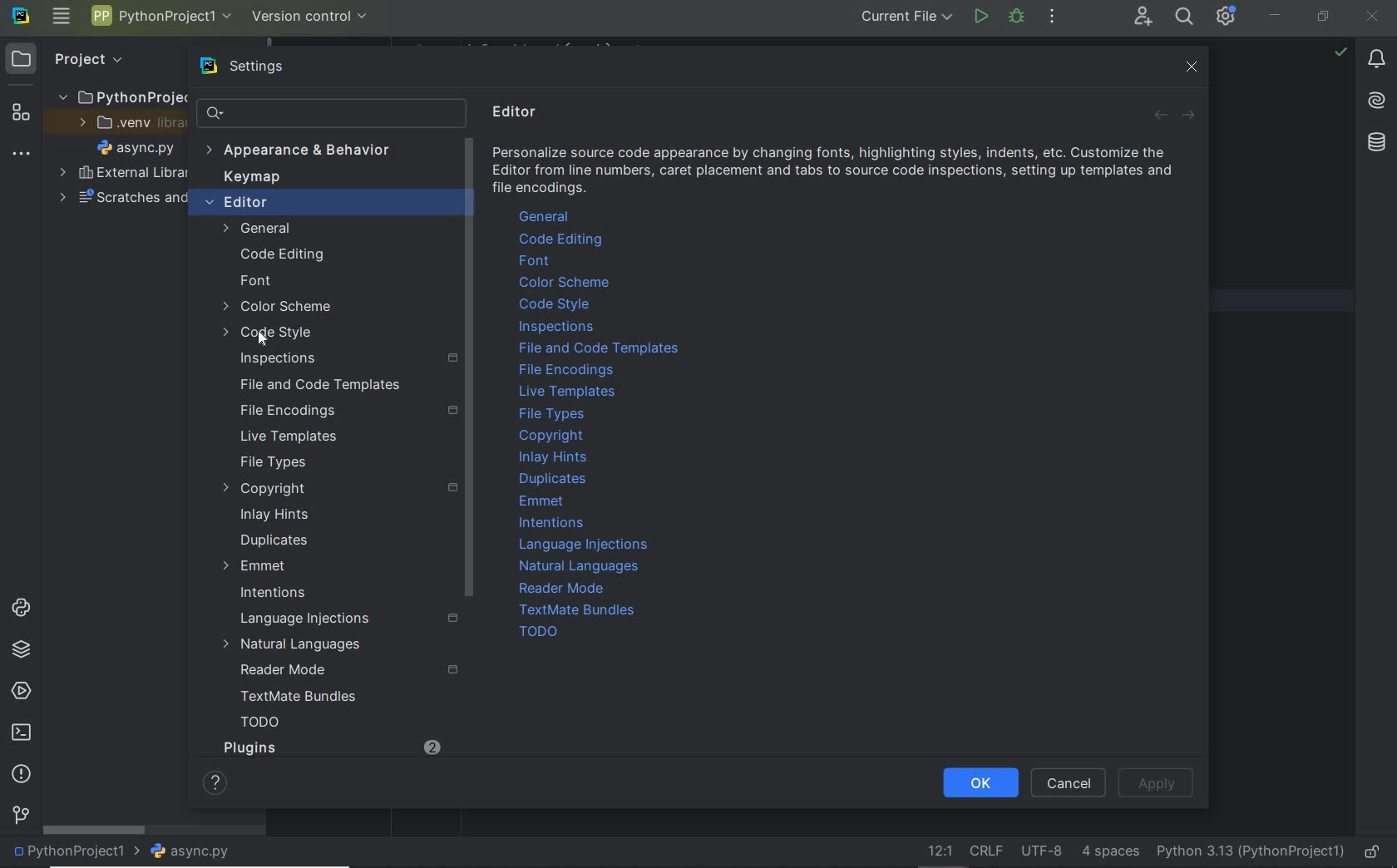 This screenshot has width=1397, height=868. What do you see at coordinates (1375, 141) in the screenshot?
I see `Database` at bounding box center [1375, 141].